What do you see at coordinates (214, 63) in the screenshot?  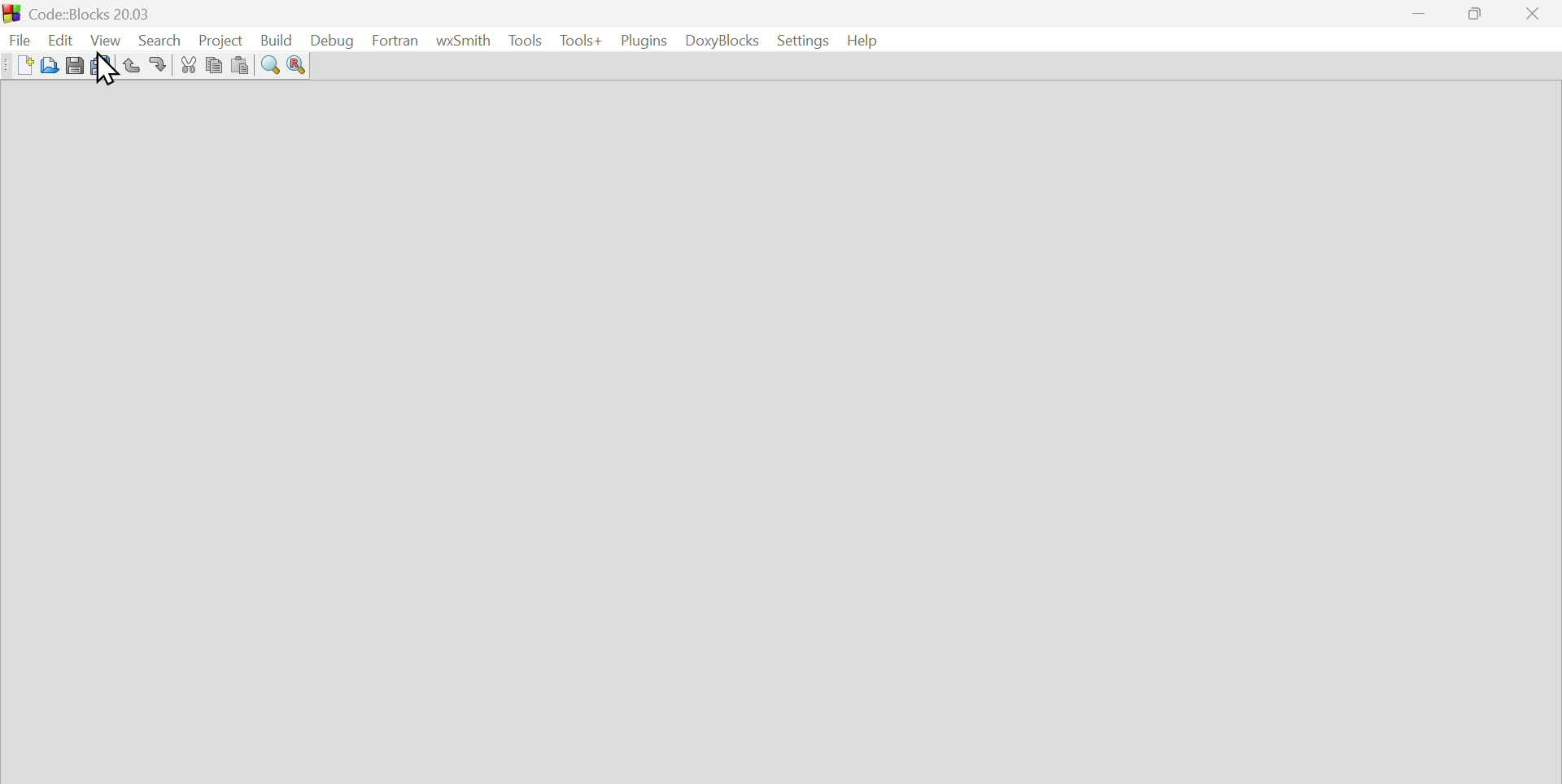 I see `Copy` at bounding box center [214, 63].